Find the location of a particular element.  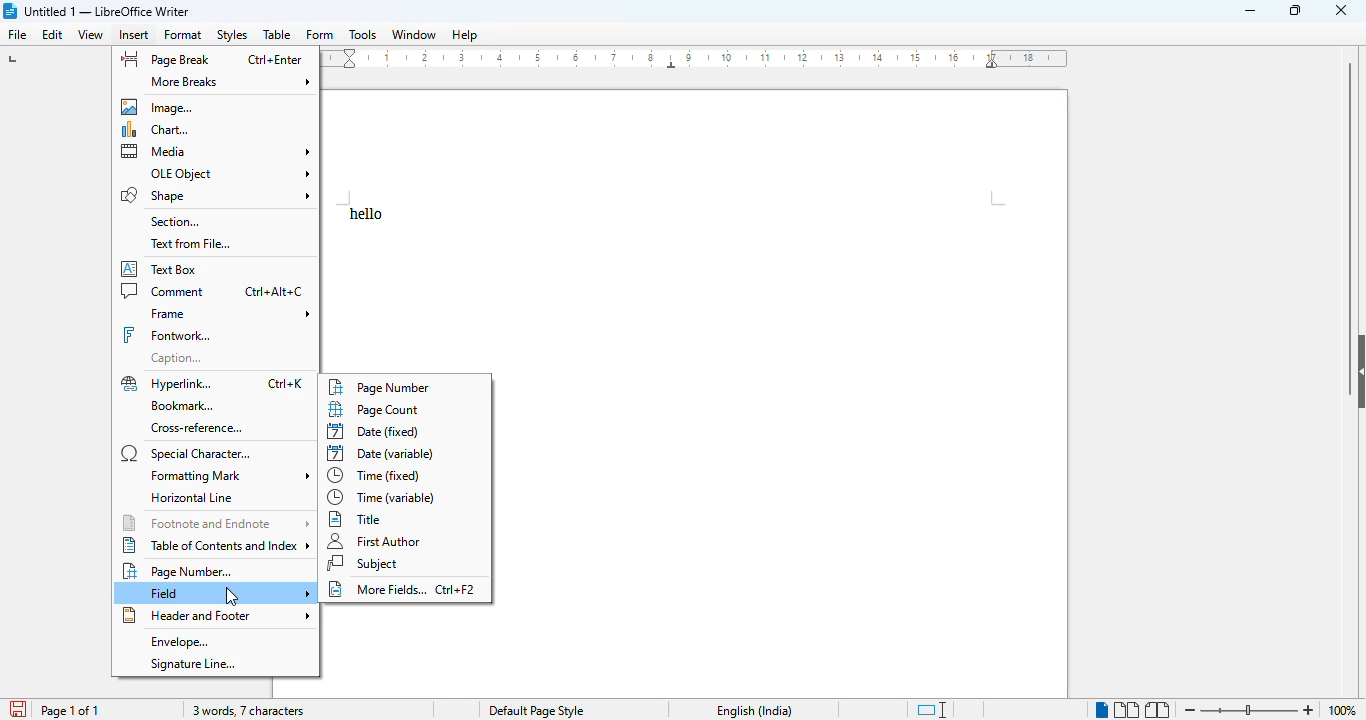

minimize is located at coordinates (1249, 11).